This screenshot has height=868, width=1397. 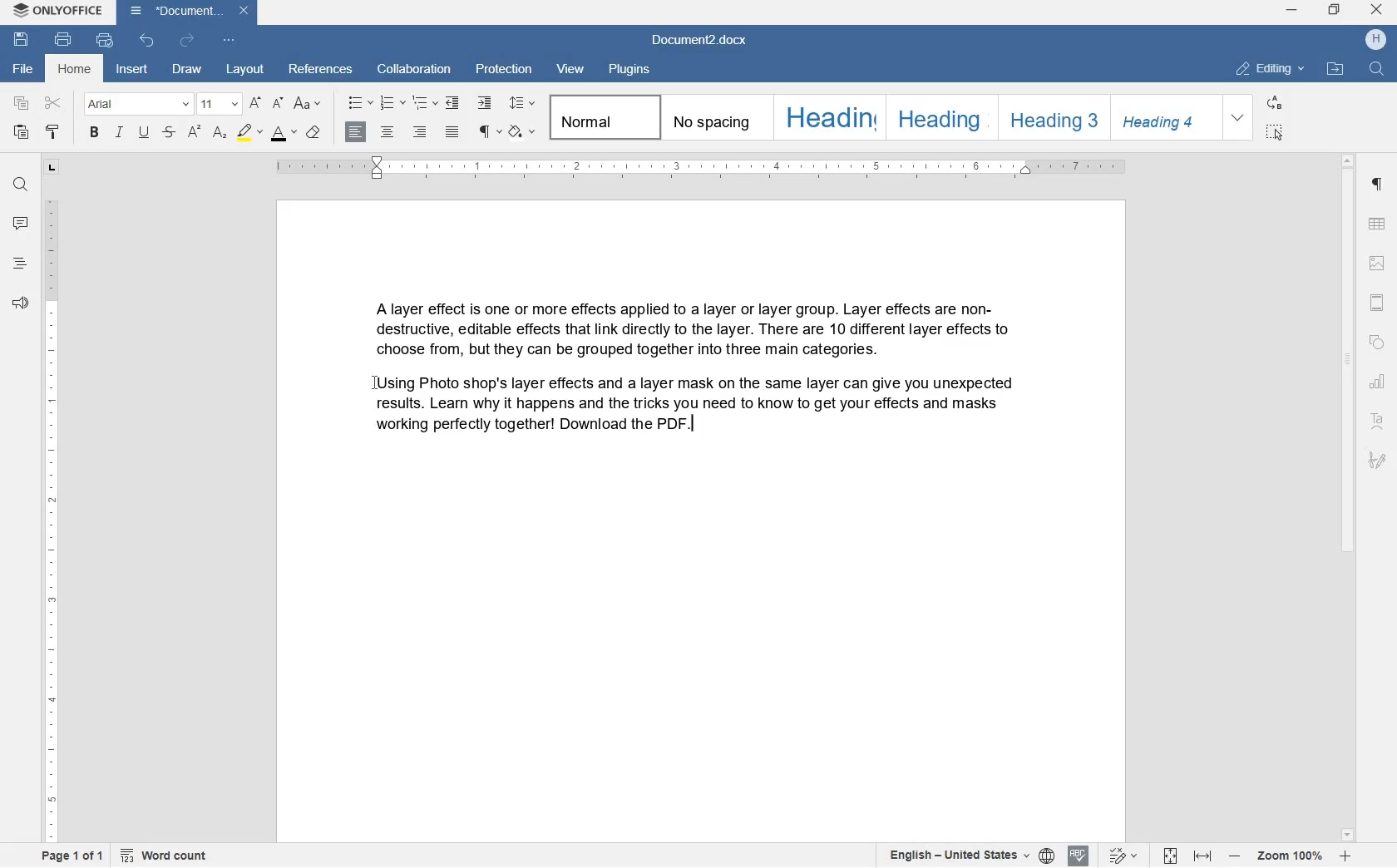 I want to click on HEADERS & FOOTERS, so click(x=1378, y=305).